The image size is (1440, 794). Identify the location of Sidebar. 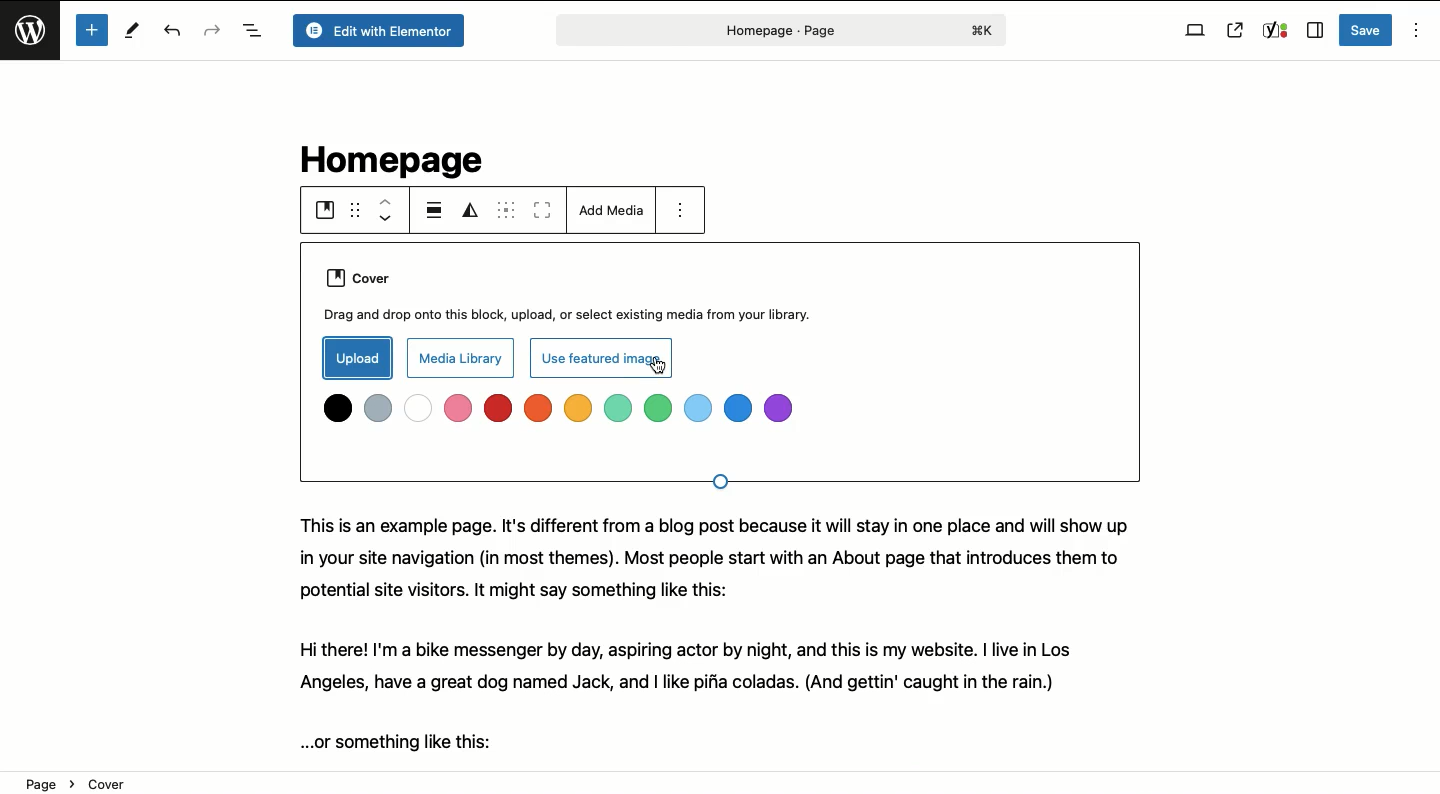
(1314, 31).